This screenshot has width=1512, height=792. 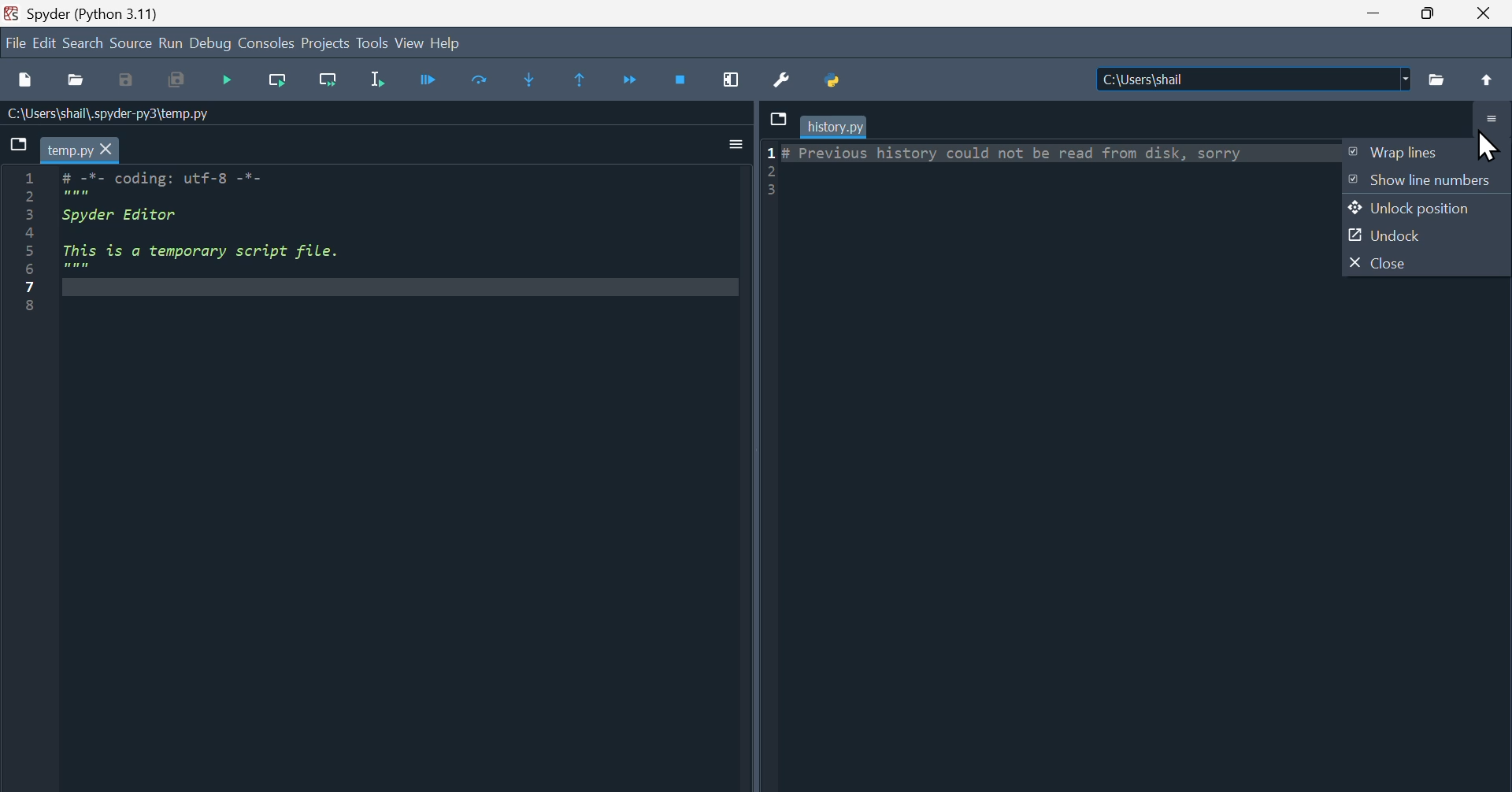 What do you see at coordinates (409, 43) in the screenshot?
I see `view` at bounding box center [409, 43].